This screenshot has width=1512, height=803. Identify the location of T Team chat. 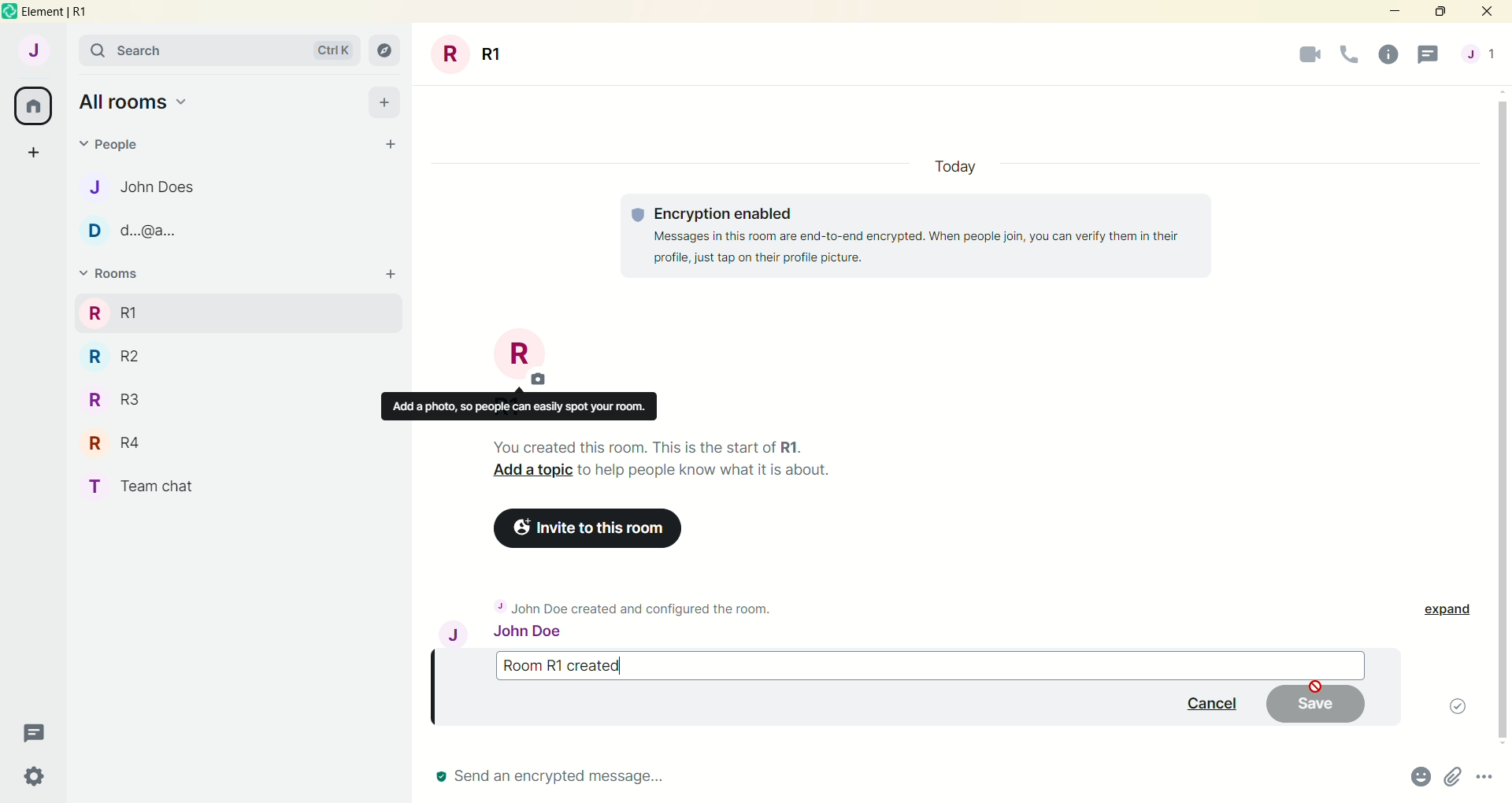
(144, 483).